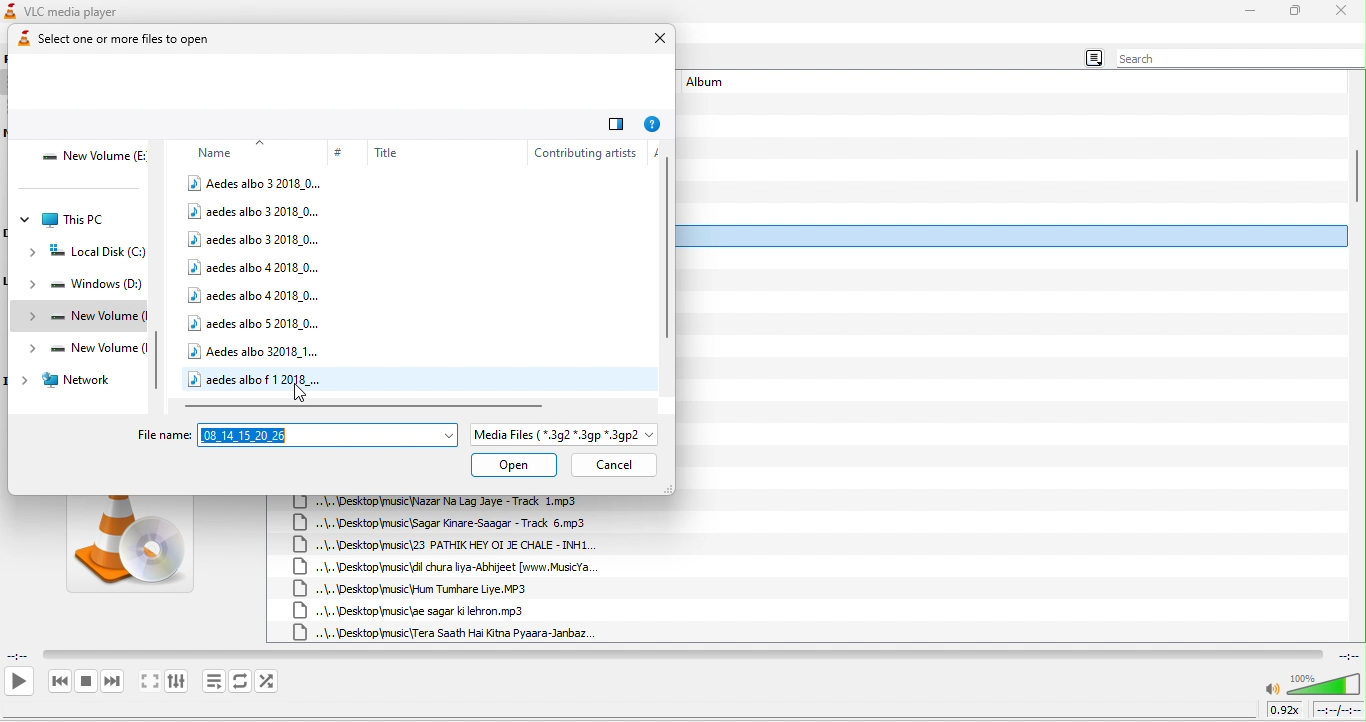  Describe the element at coordinates (82, 349) in the screenshot. I see `new volume (I` at that location.